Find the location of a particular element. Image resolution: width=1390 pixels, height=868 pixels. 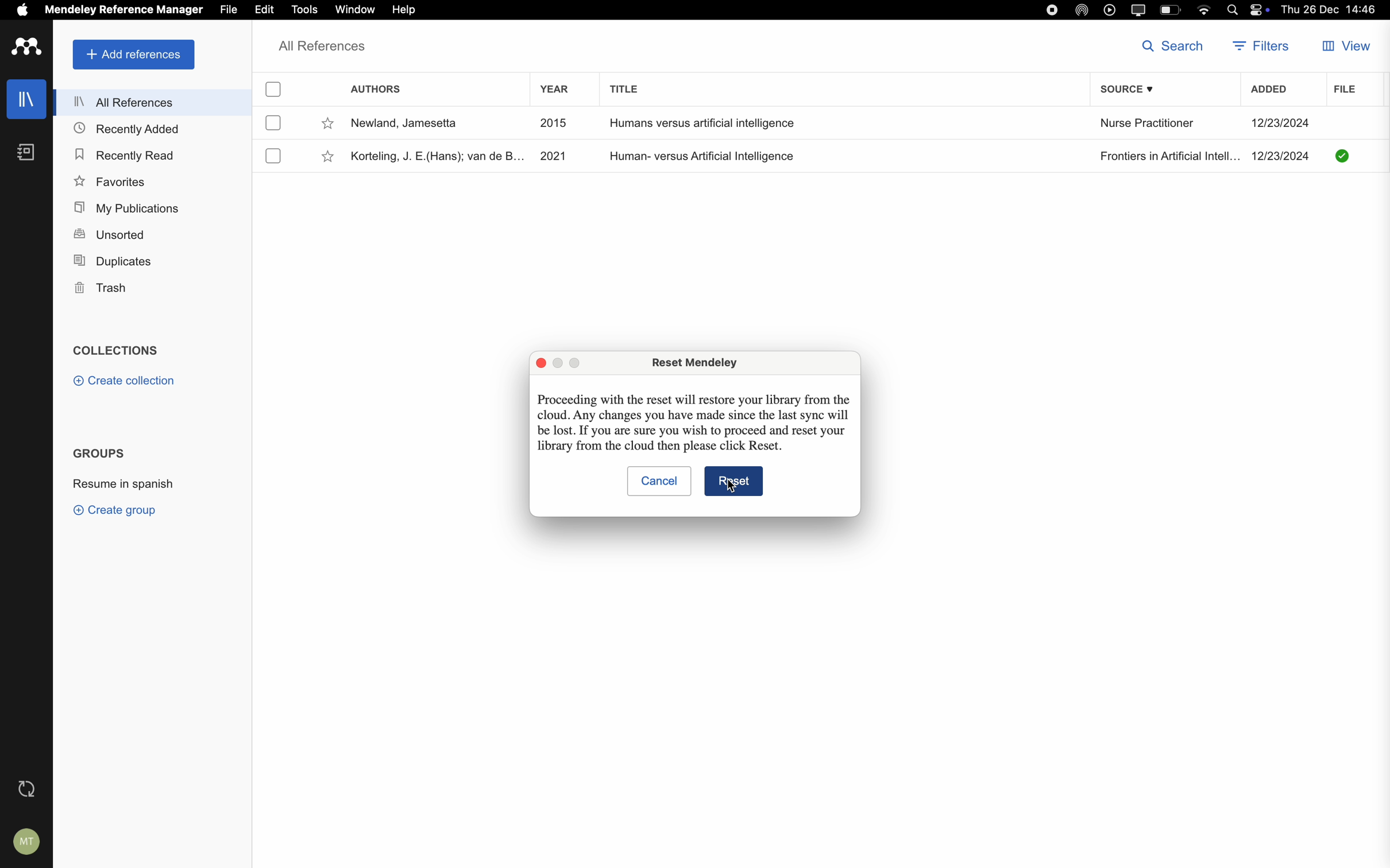

Human- versus Artificial Intelligence is located at coordinates (696, 157).